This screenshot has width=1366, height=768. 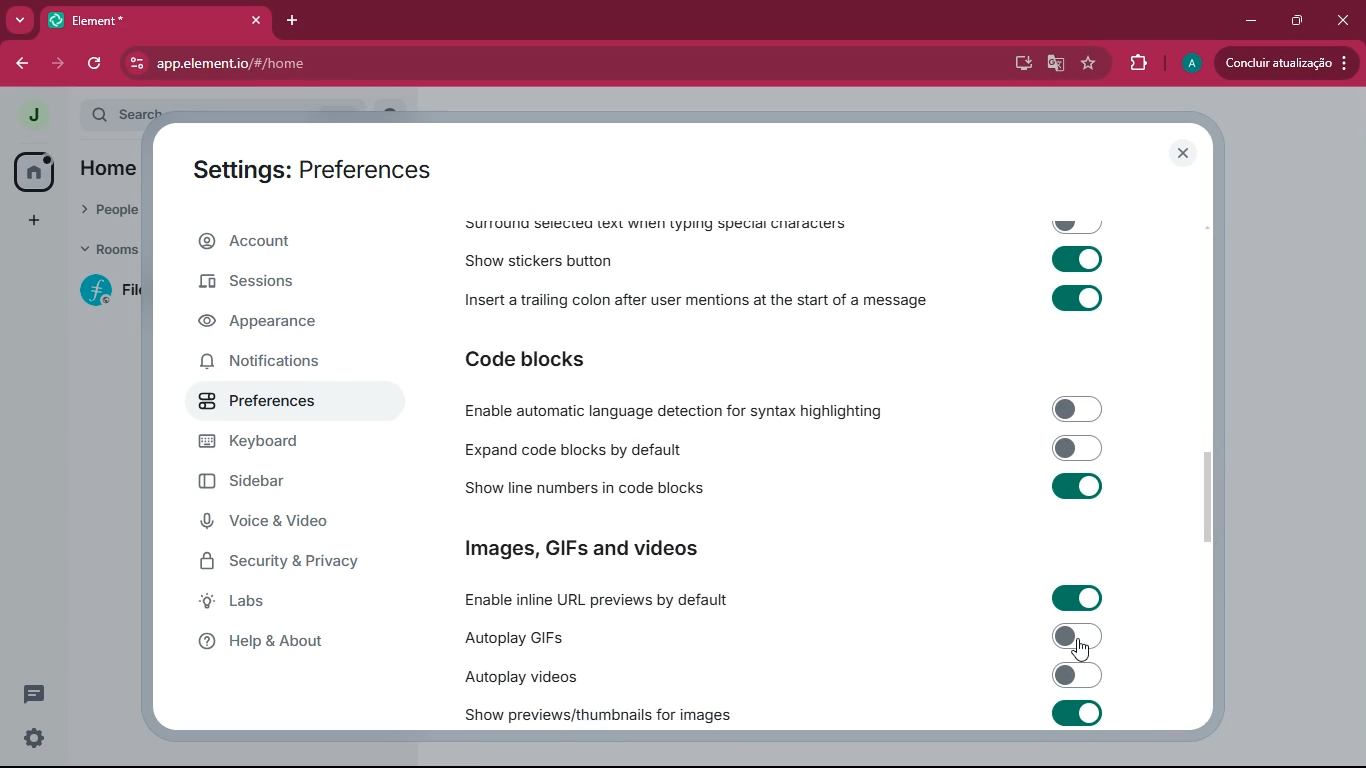 I want to click on google translate , so click(x=1052, y=65).